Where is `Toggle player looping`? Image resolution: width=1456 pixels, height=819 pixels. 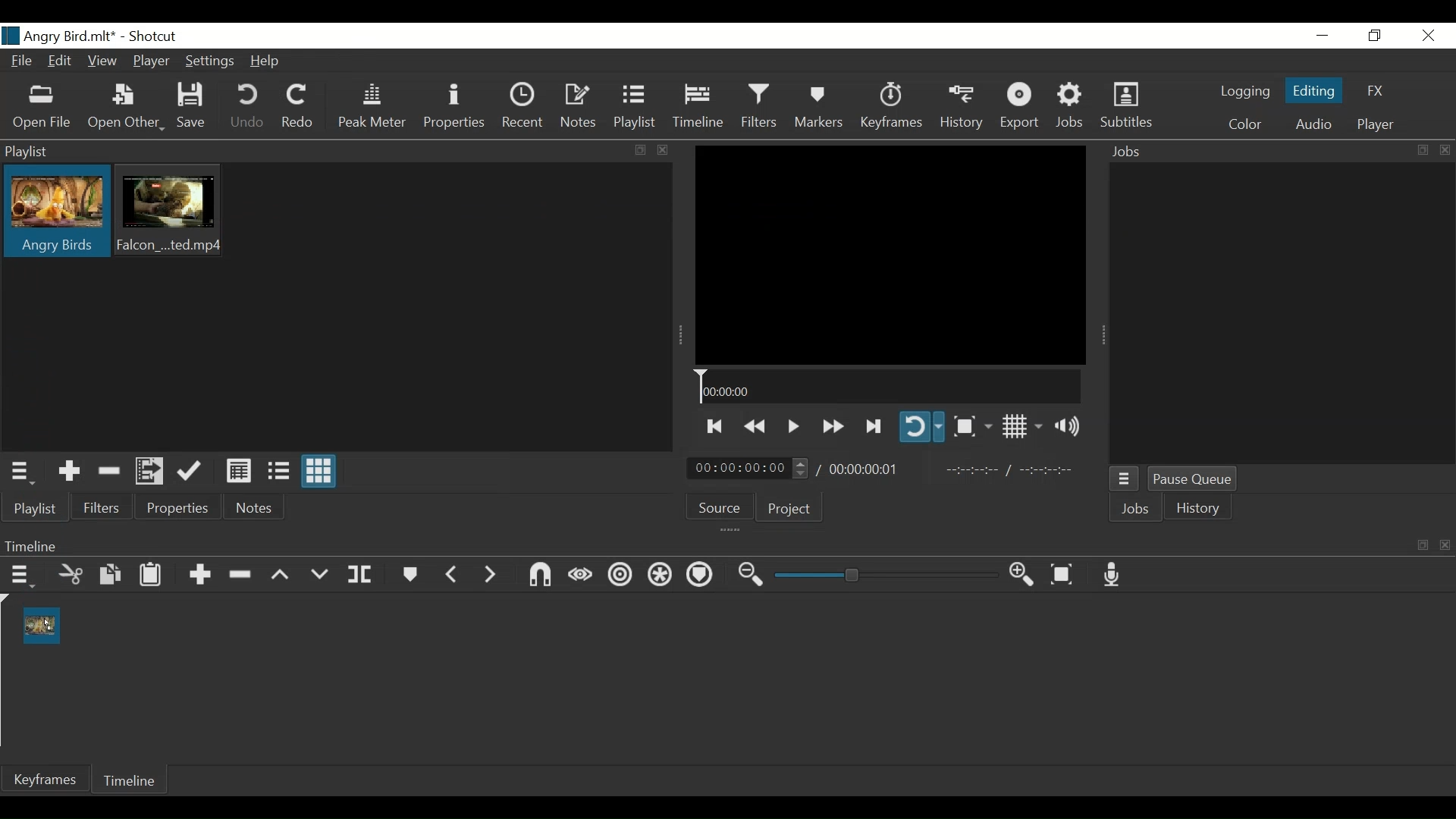 Toggle player looping is located at coordinates (921, 428).